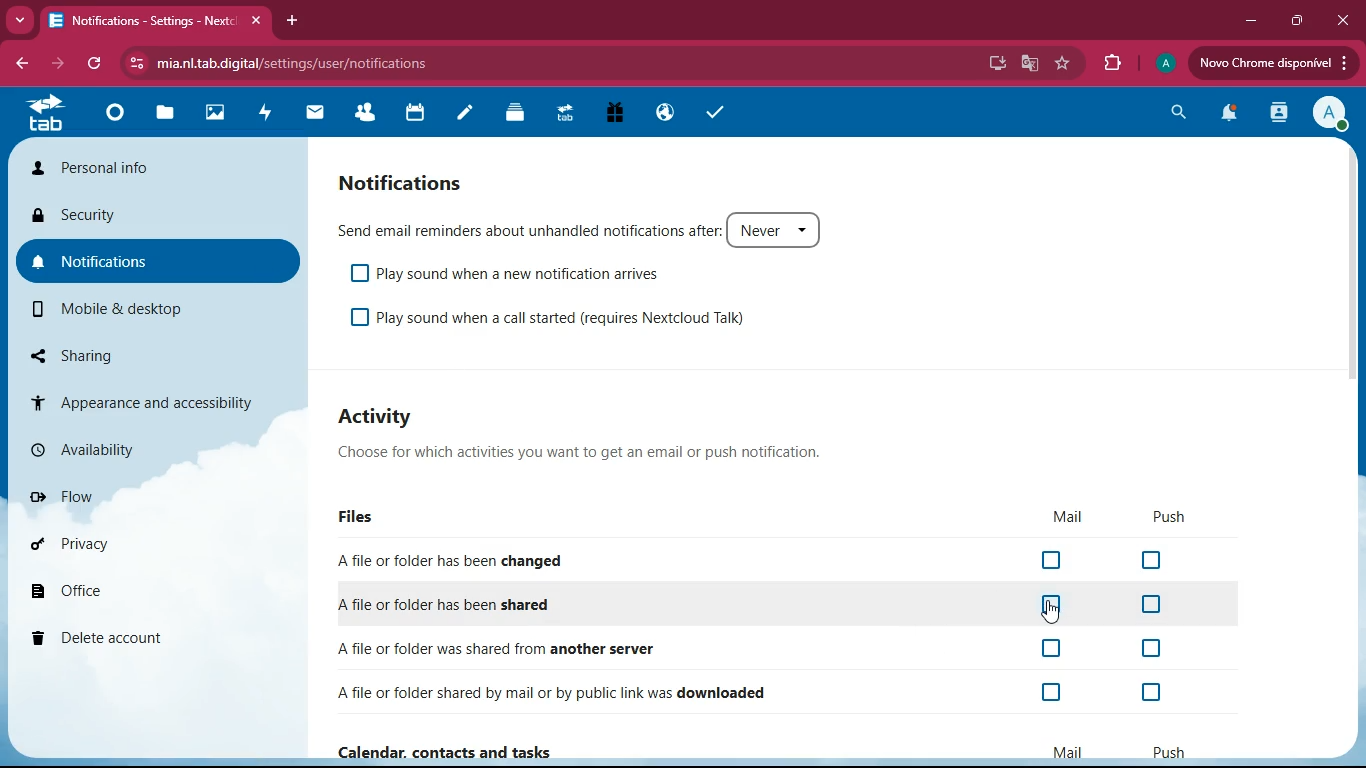  I want to click on tab, so click(156, 22).